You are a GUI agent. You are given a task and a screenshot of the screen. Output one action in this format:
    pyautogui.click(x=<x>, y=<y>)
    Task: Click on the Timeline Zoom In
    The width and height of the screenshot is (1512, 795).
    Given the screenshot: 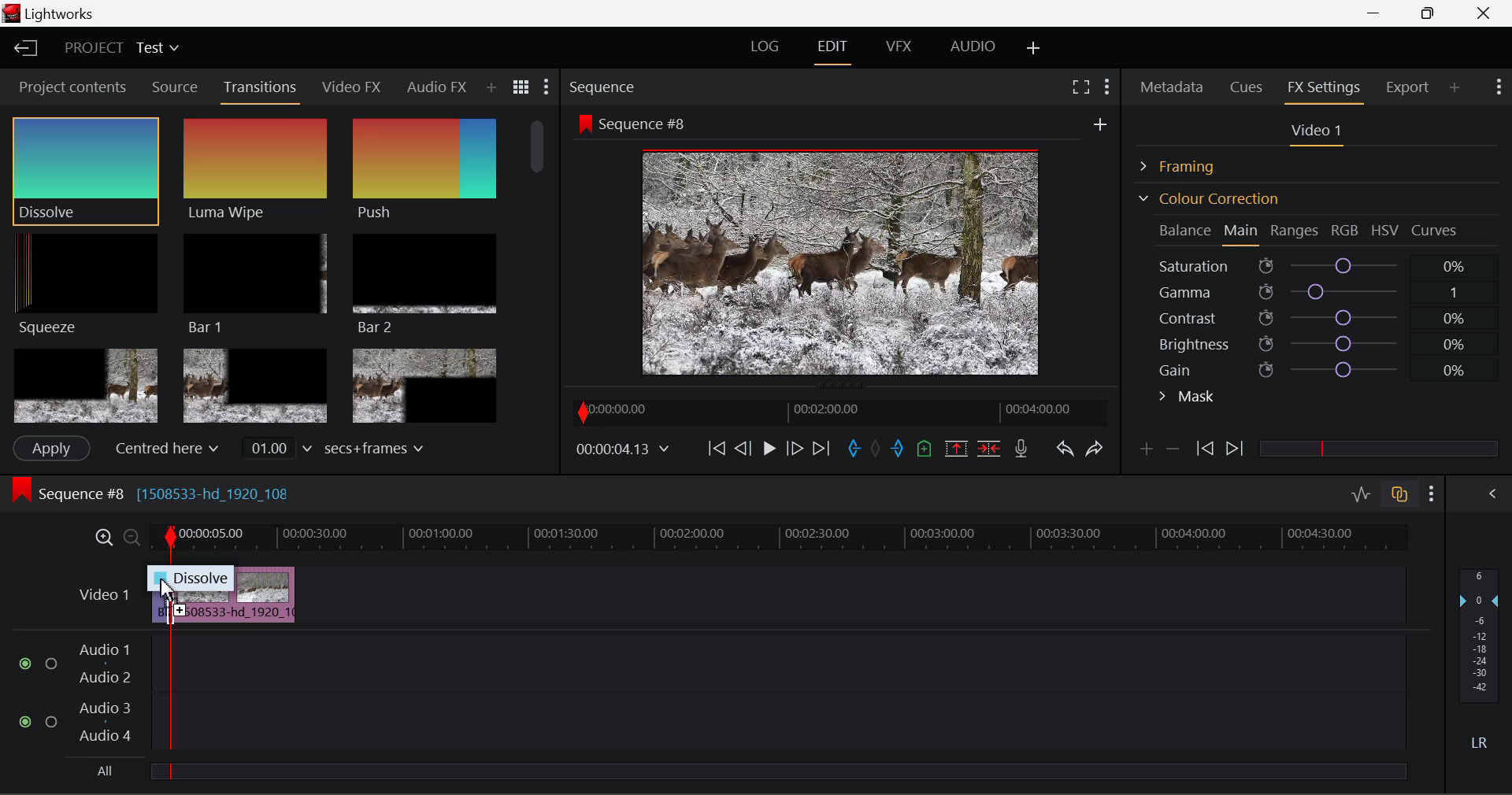 What is the action you would take?
    pyautogui.click(x=101, y=537)
    